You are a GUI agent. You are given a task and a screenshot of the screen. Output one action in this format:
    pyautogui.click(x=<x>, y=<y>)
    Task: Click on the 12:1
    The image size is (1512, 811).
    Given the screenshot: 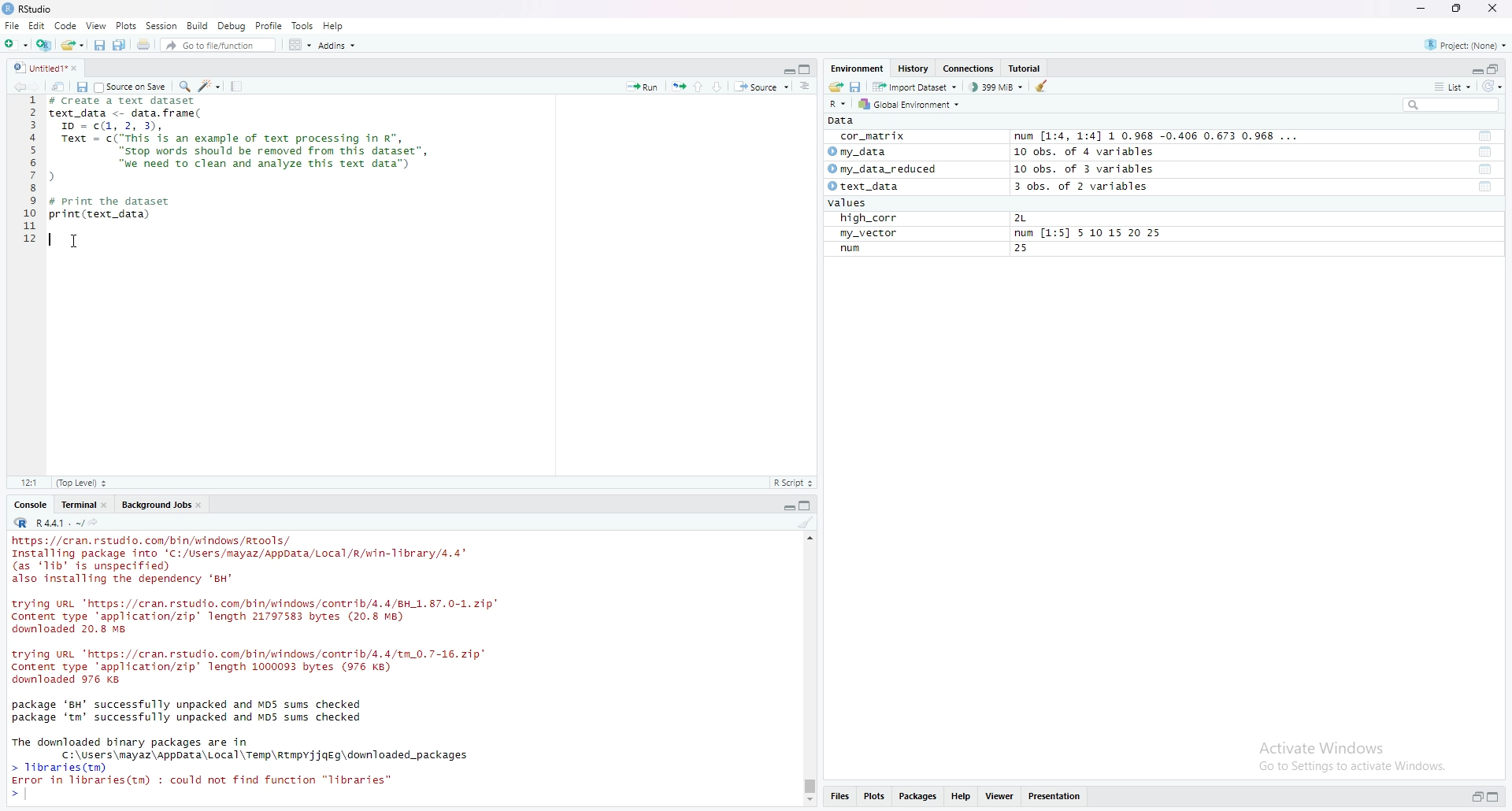 What is the action you would take?
    pyautogui.click(x=30, y=483)
    